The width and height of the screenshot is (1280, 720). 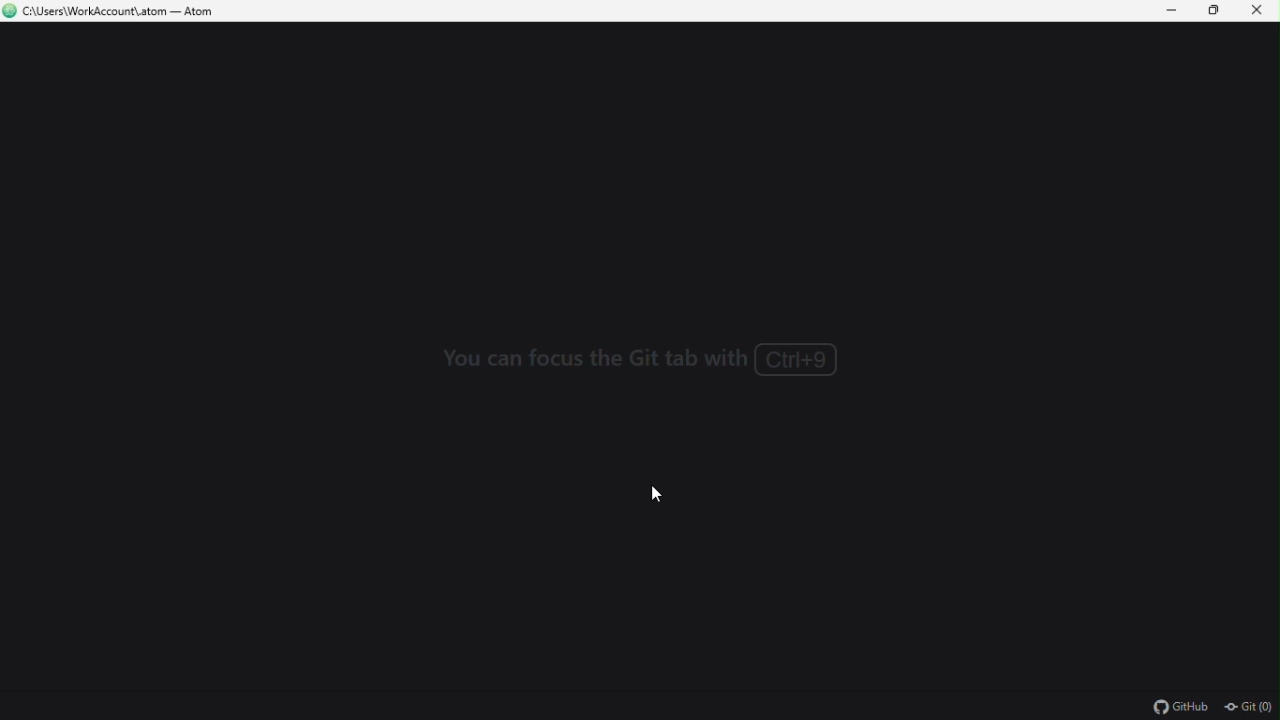 I want to click on Restore, so click(x=1219, y=11).